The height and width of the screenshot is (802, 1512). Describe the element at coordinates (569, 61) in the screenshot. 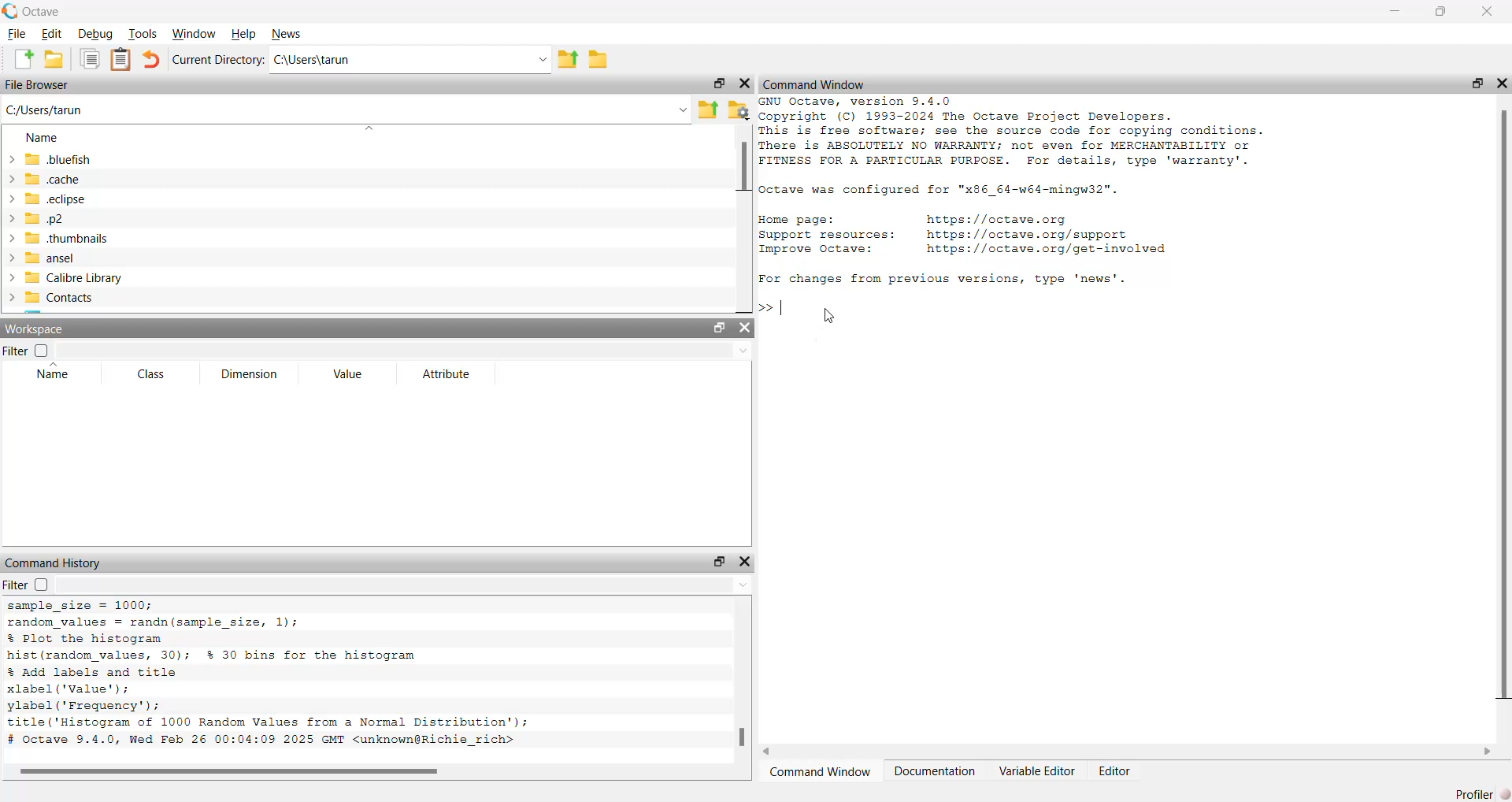

I see `Previous Folder` at that location.